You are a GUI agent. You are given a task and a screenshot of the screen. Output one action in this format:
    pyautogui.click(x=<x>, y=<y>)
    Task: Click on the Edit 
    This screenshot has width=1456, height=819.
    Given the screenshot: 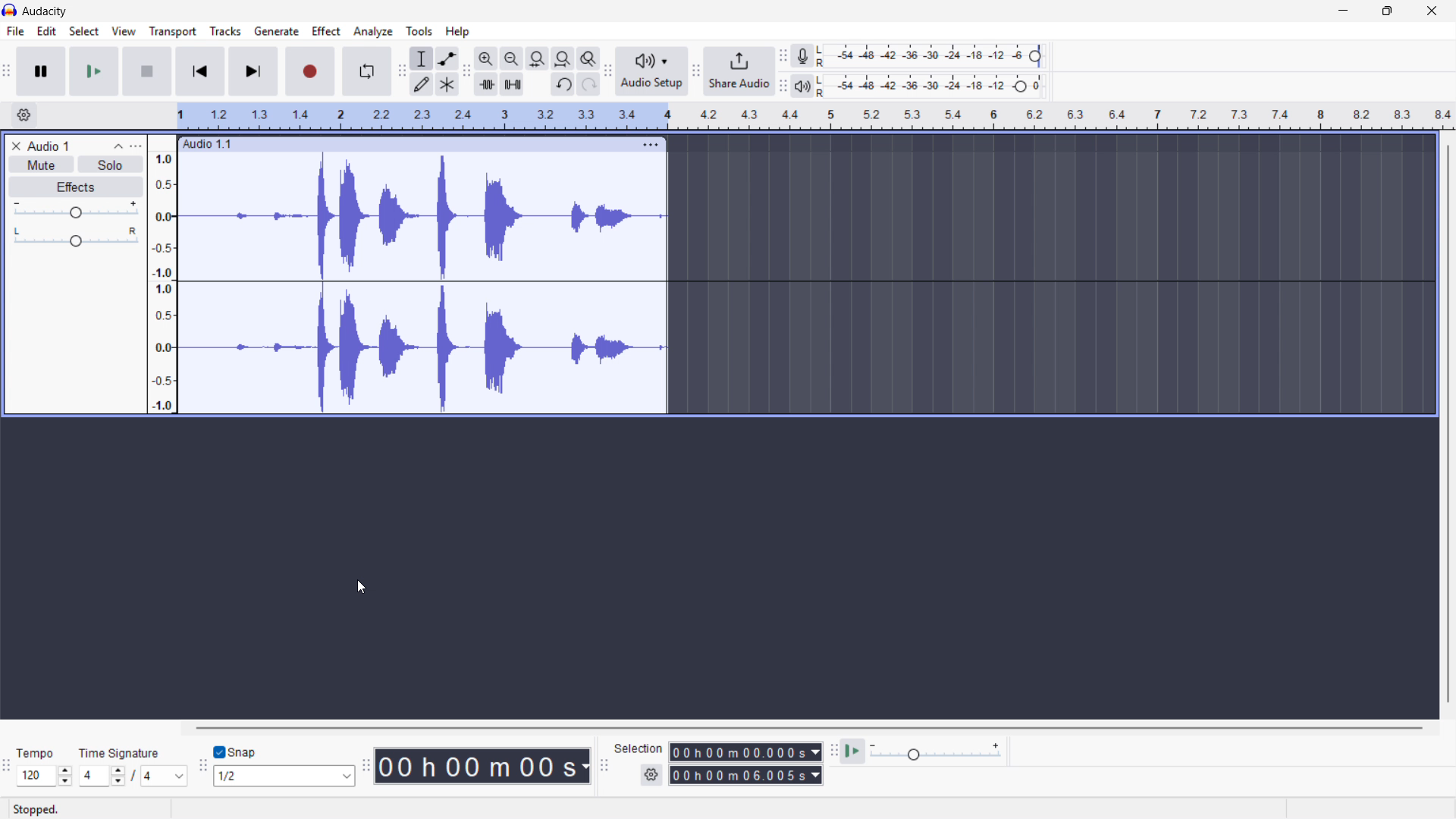 What is the action you would take?
    pyautogui.click(x=47, y=31)
    